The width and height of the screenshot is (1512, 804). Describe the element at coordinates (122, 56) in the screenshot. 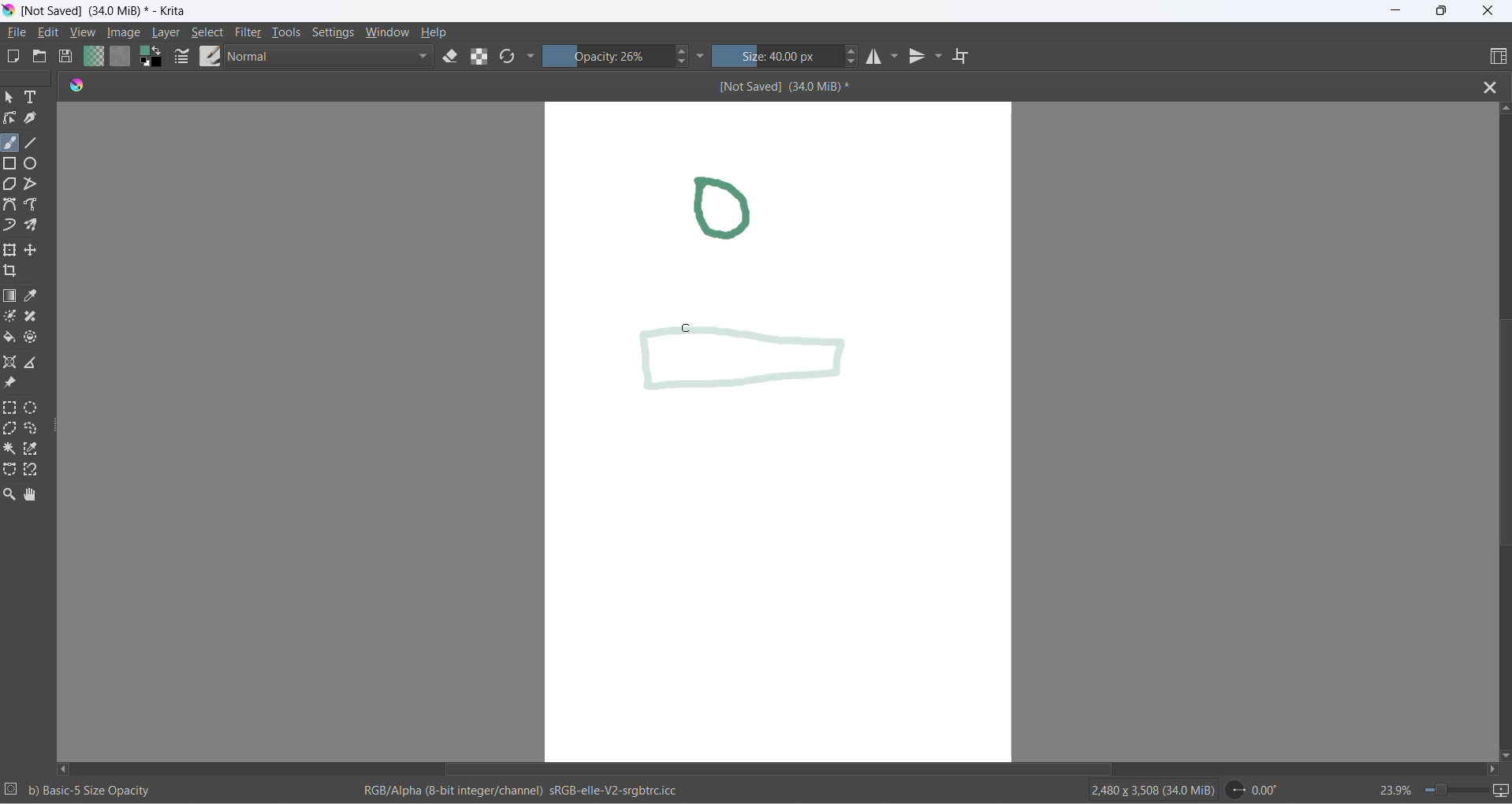

I see `fill patterns` at that location.